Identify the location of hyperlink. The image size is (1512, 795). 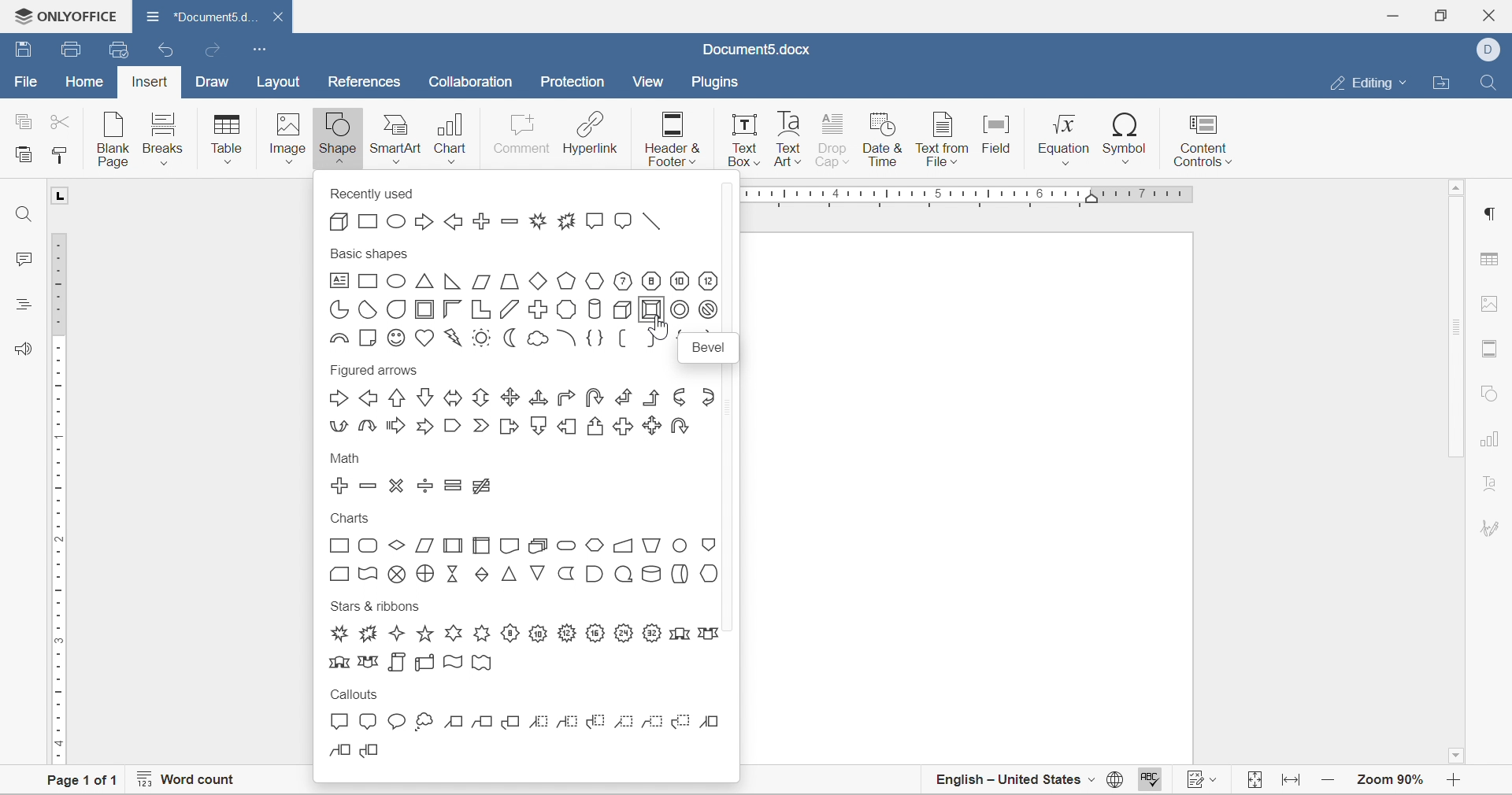
(591, 131).